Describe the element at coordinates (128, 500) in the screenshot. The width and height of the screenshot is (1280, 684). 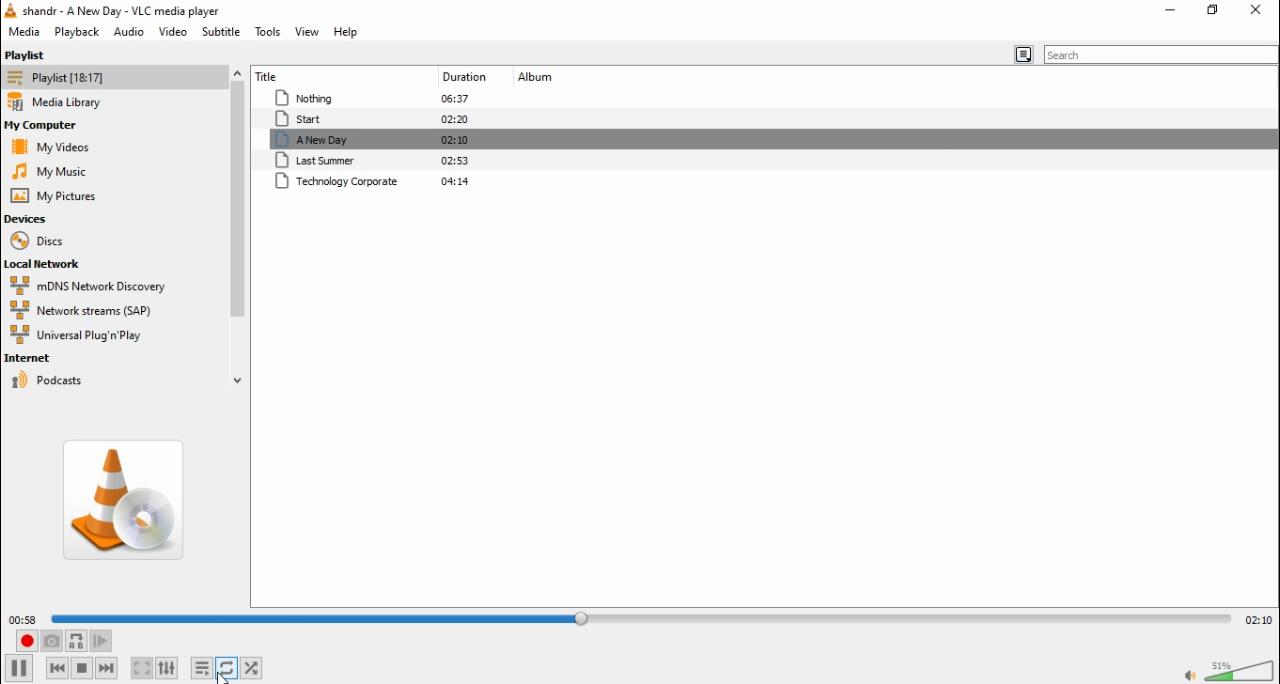
I see `album art` at that location.